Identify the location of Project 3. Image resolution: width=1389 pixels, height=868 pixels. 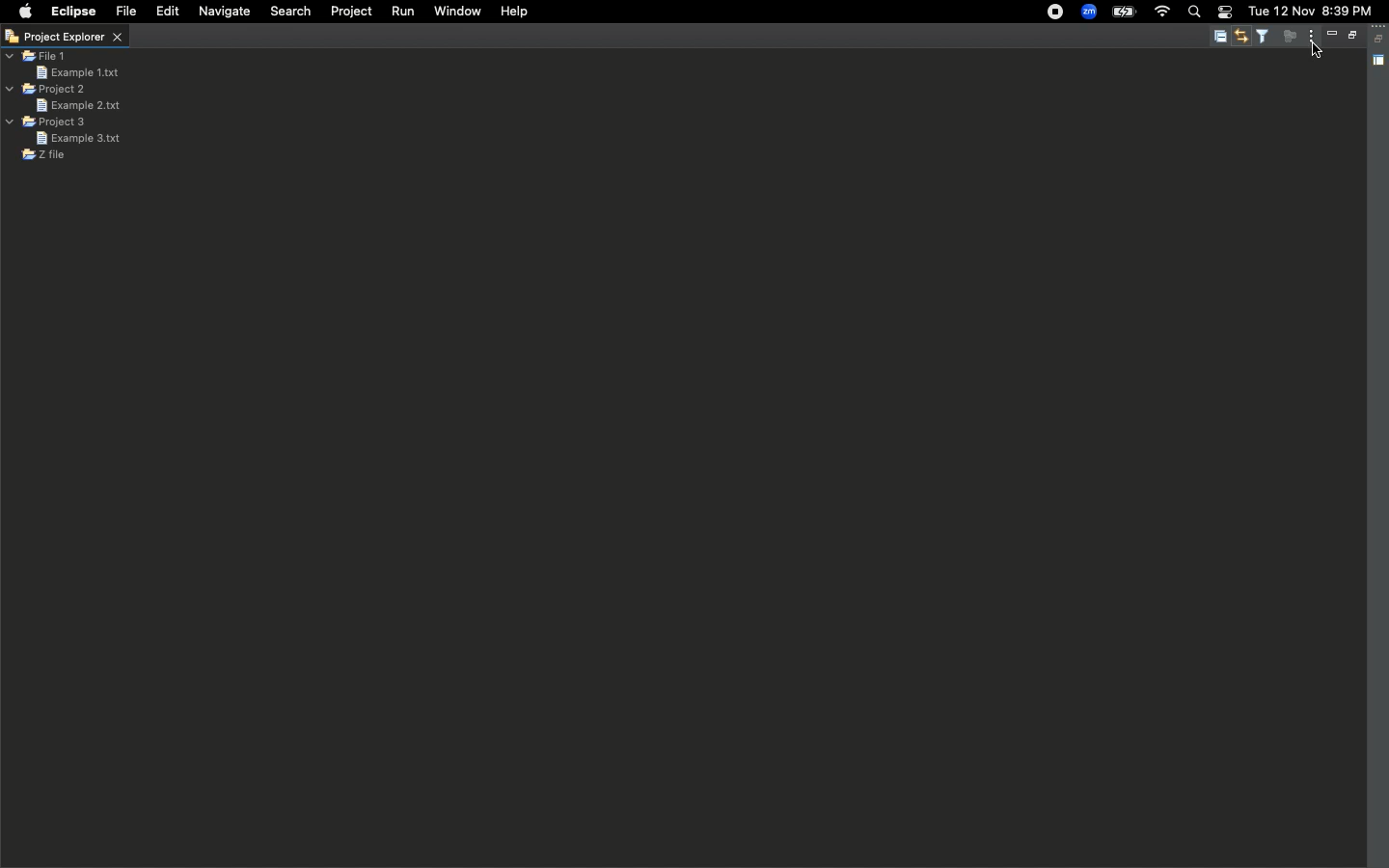
(48, 122).